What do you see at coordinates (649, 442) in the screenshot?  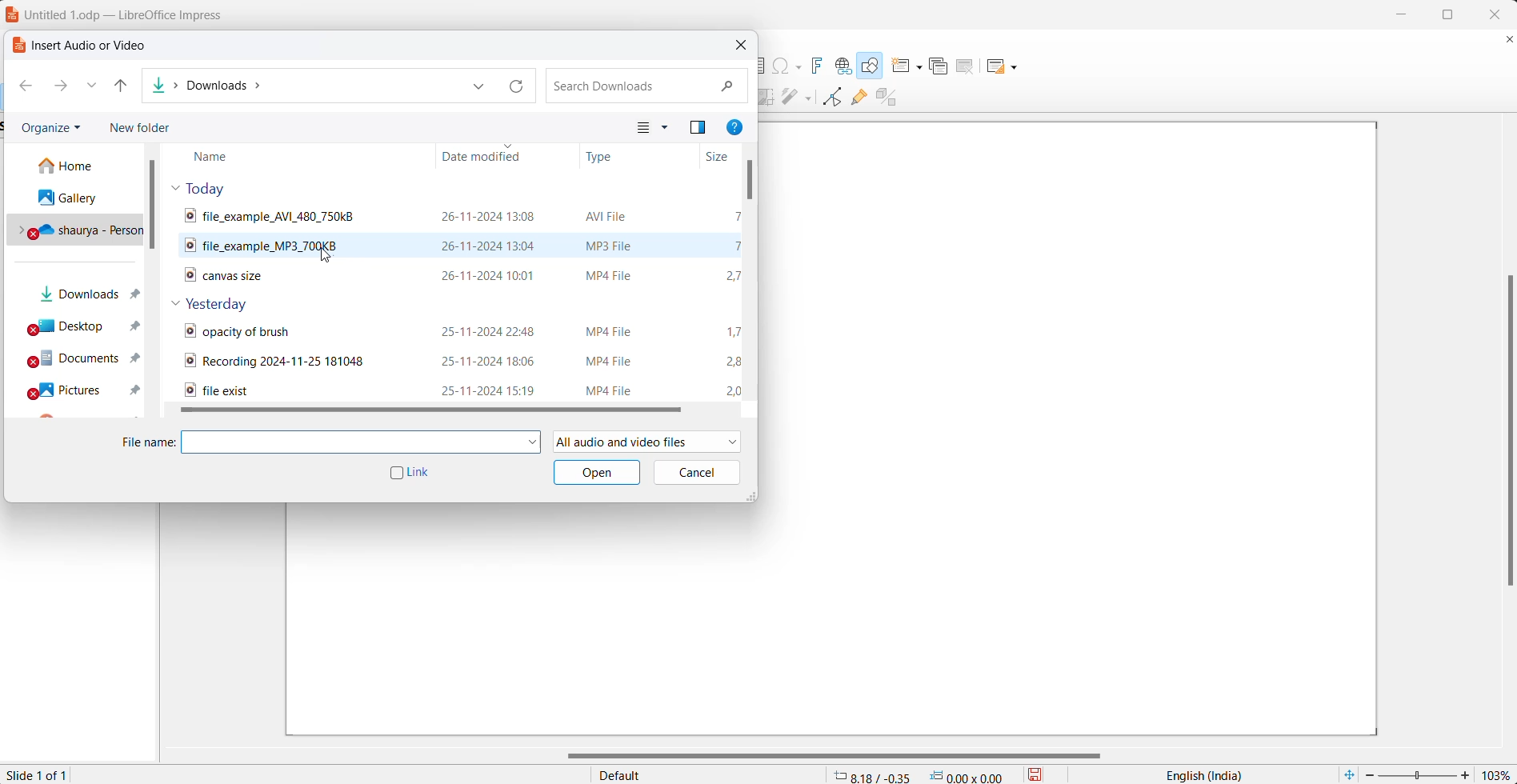 I see `allowed file type` at bounding box center [649, 442].